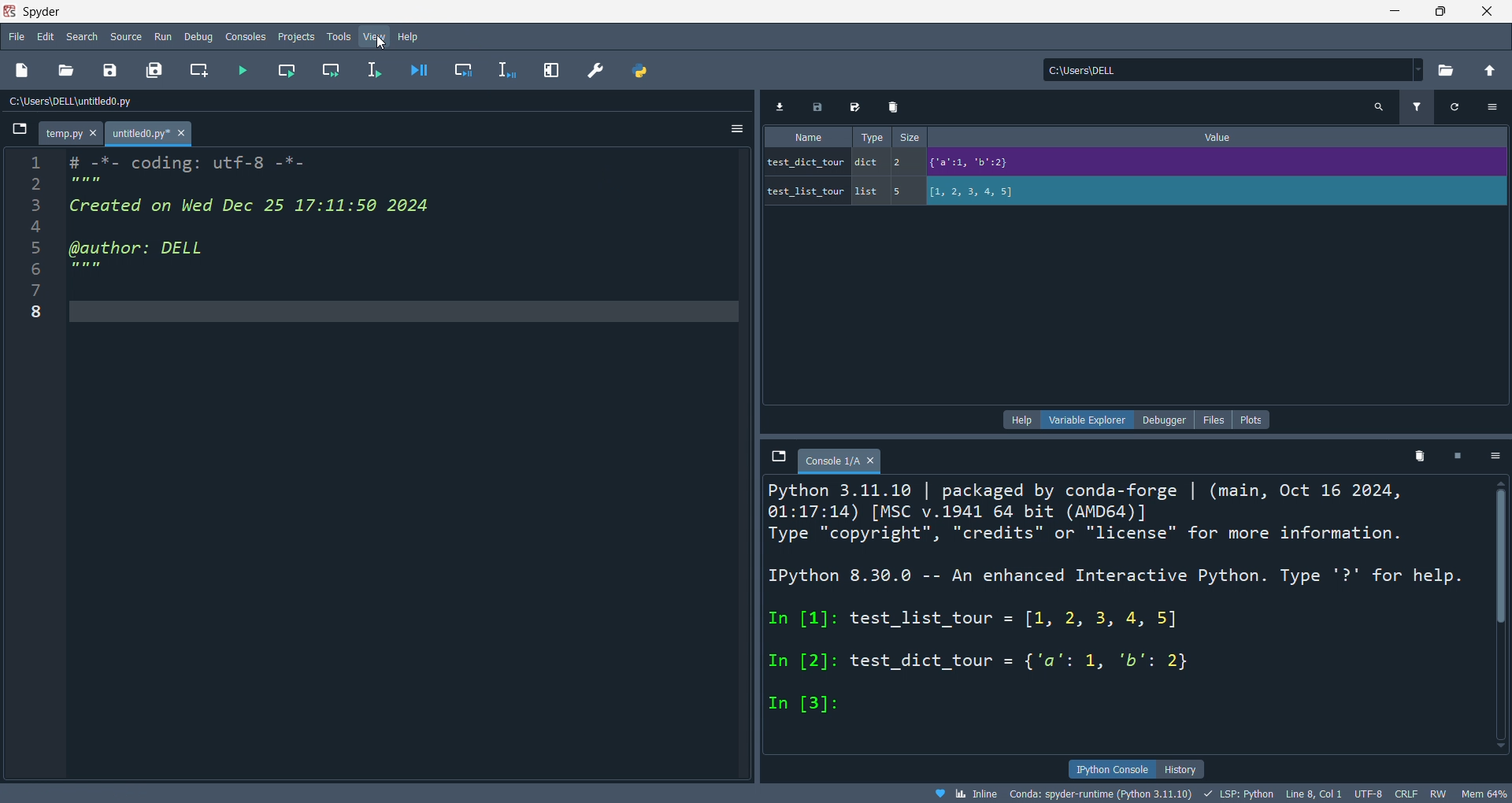  What do you see at coordinates (1102, 794) in the screenshot?
I see `interpreter` at bounding box center [1102, 794].